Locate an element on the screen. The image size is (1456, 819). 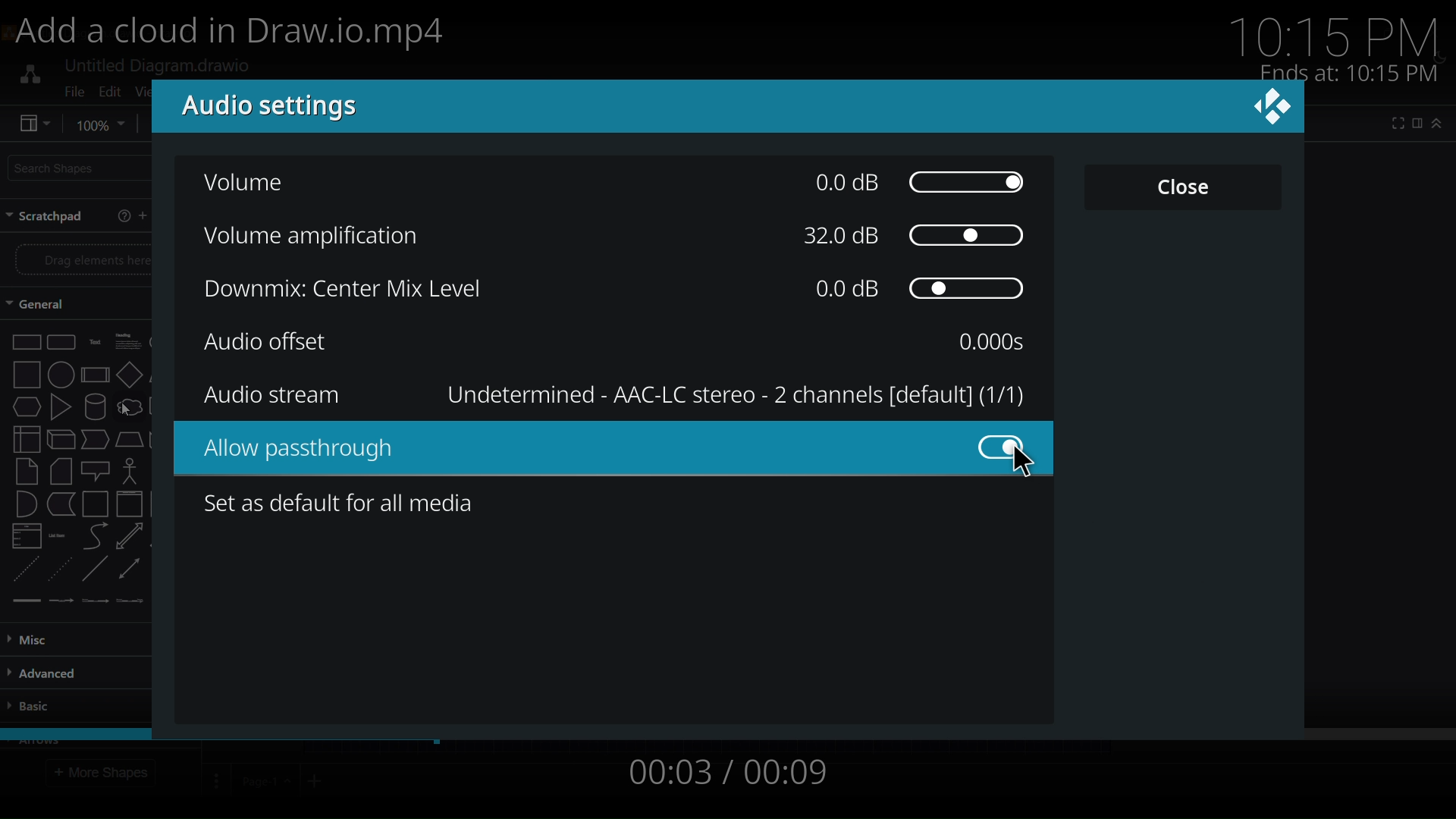
Ends at: 10:15 PM is located at coordinates (1346, 73).